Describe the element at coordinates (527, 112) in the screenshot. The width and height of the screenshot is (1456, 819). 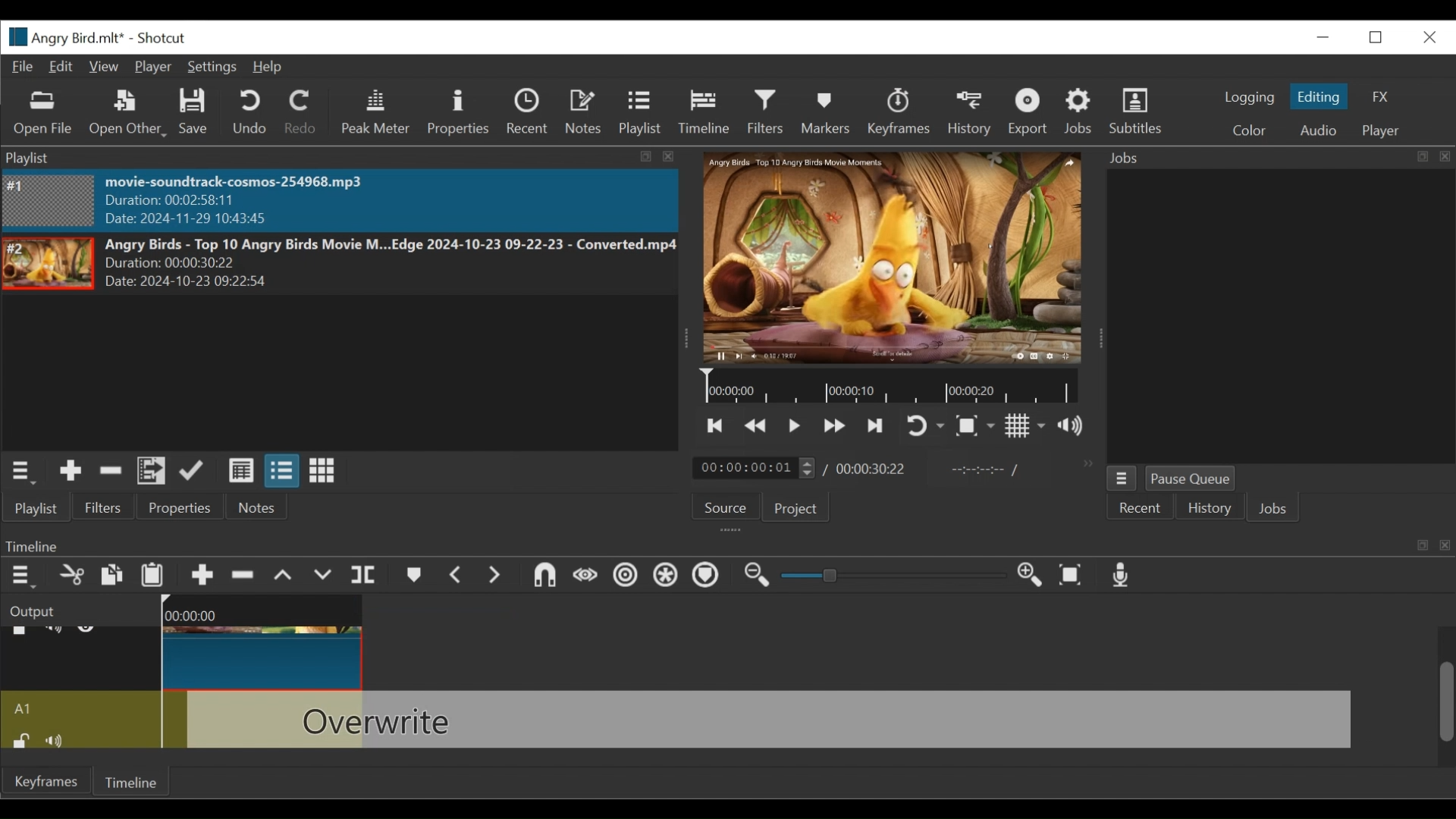
I see `Recent` at that location.